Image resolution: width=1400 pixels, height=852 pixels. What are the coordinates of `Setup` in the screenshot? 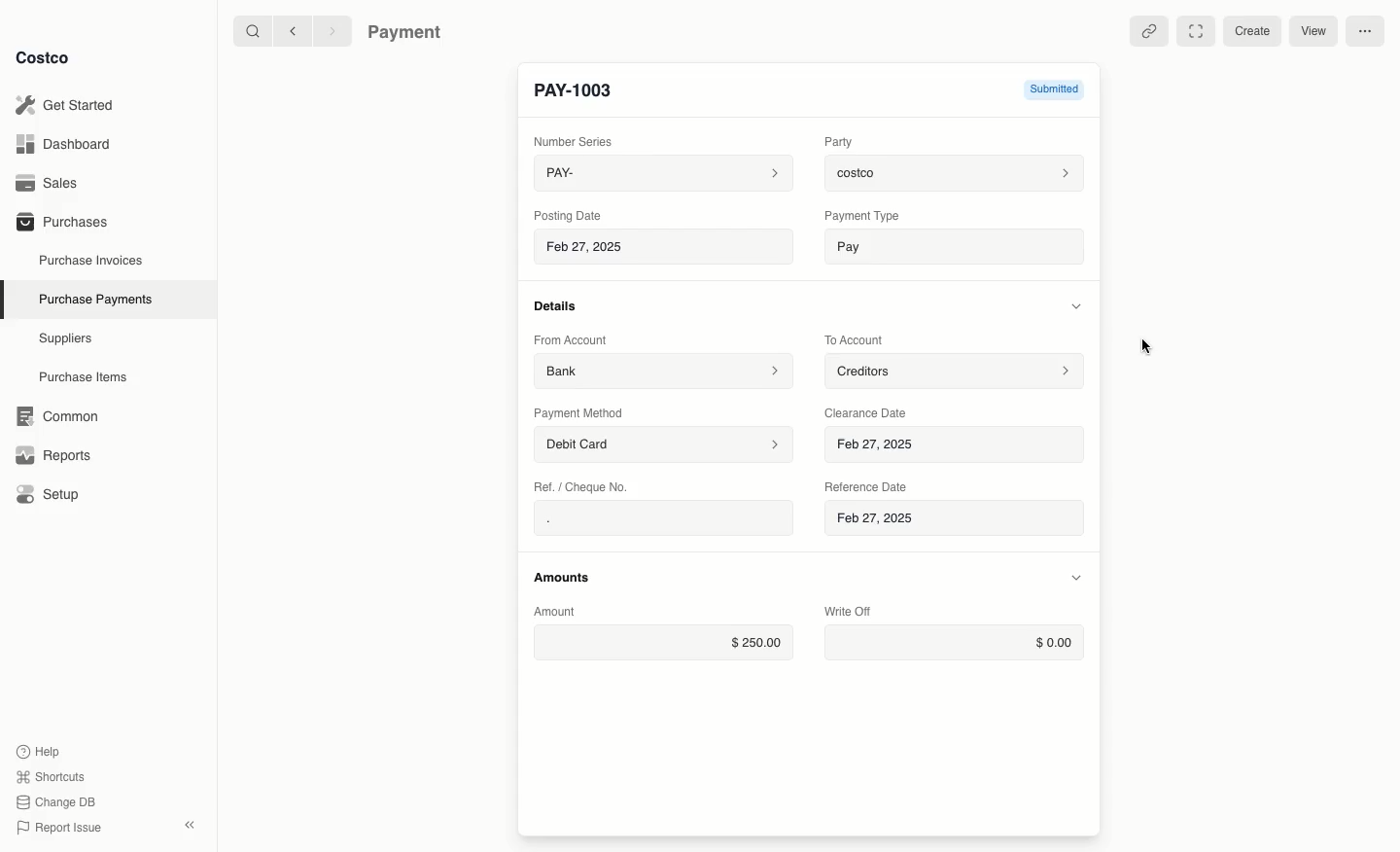 It's located at (54, 496).